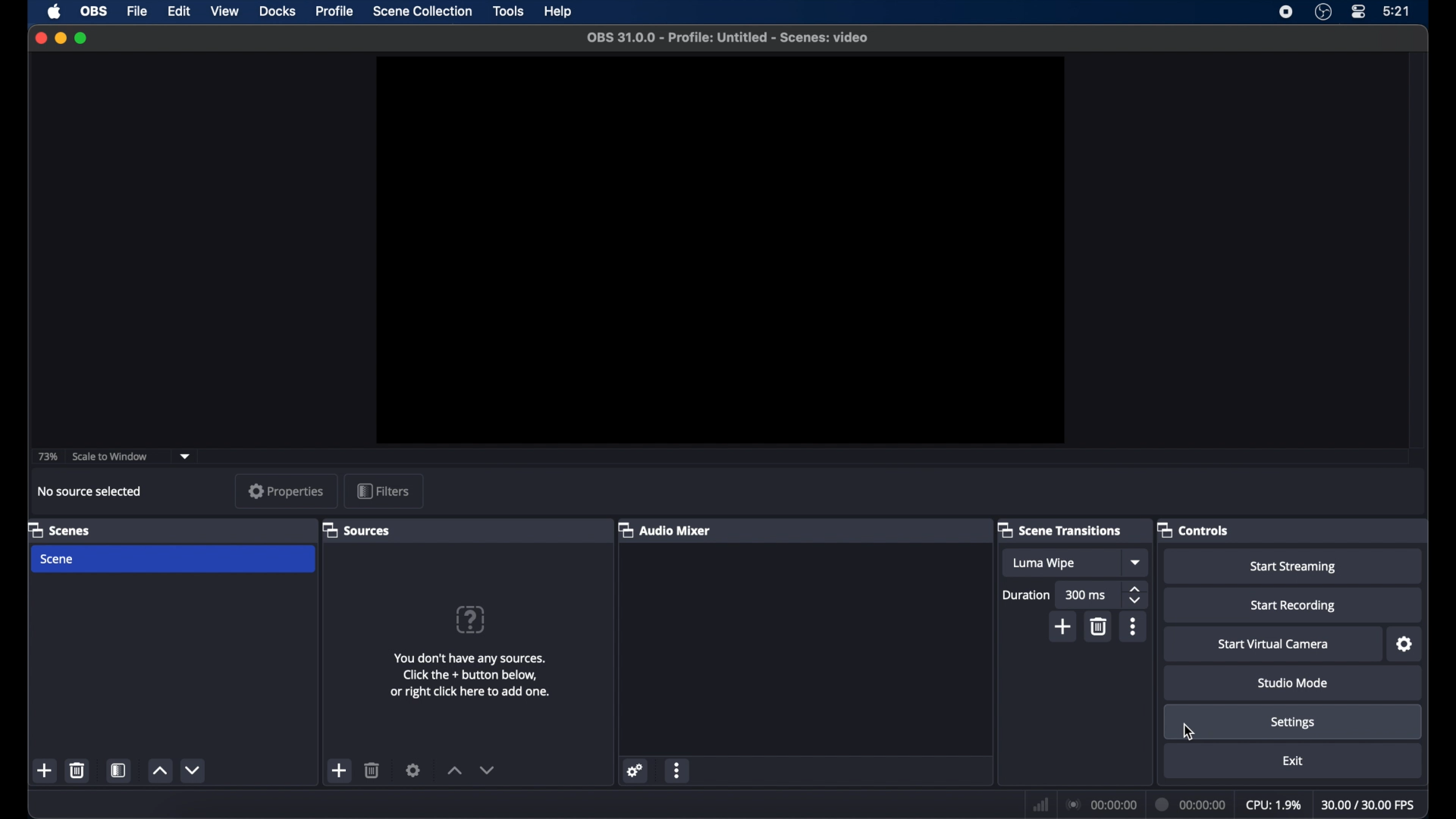 The width and height of the screenshot is (1456, 819). What do you see at coordinates (382, 490) in the screenshot?
I see `filters` at bounding box center [382, 490].